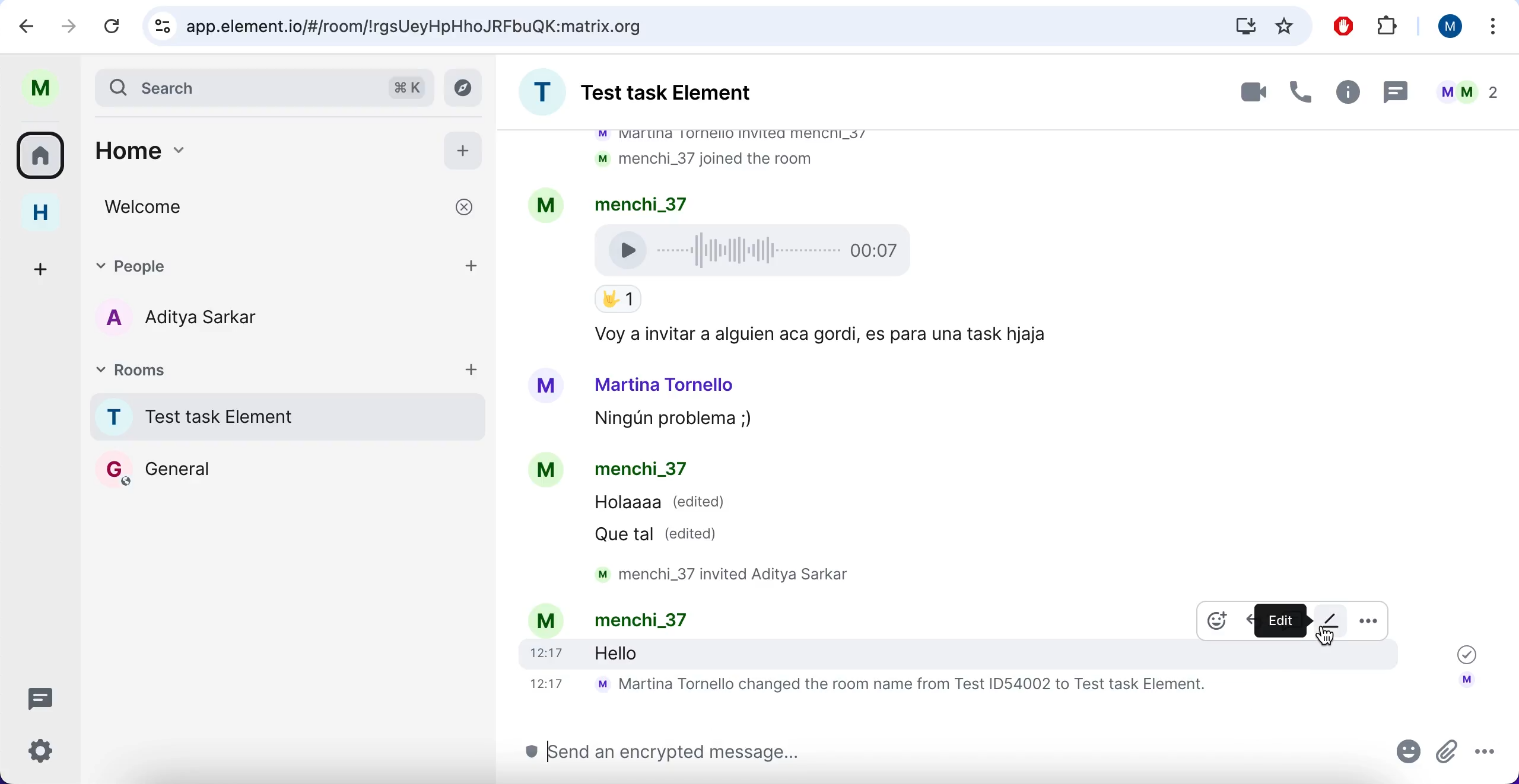  Describe the element at coordinates (49, 87) in the screenshot. I see `user` at that location.